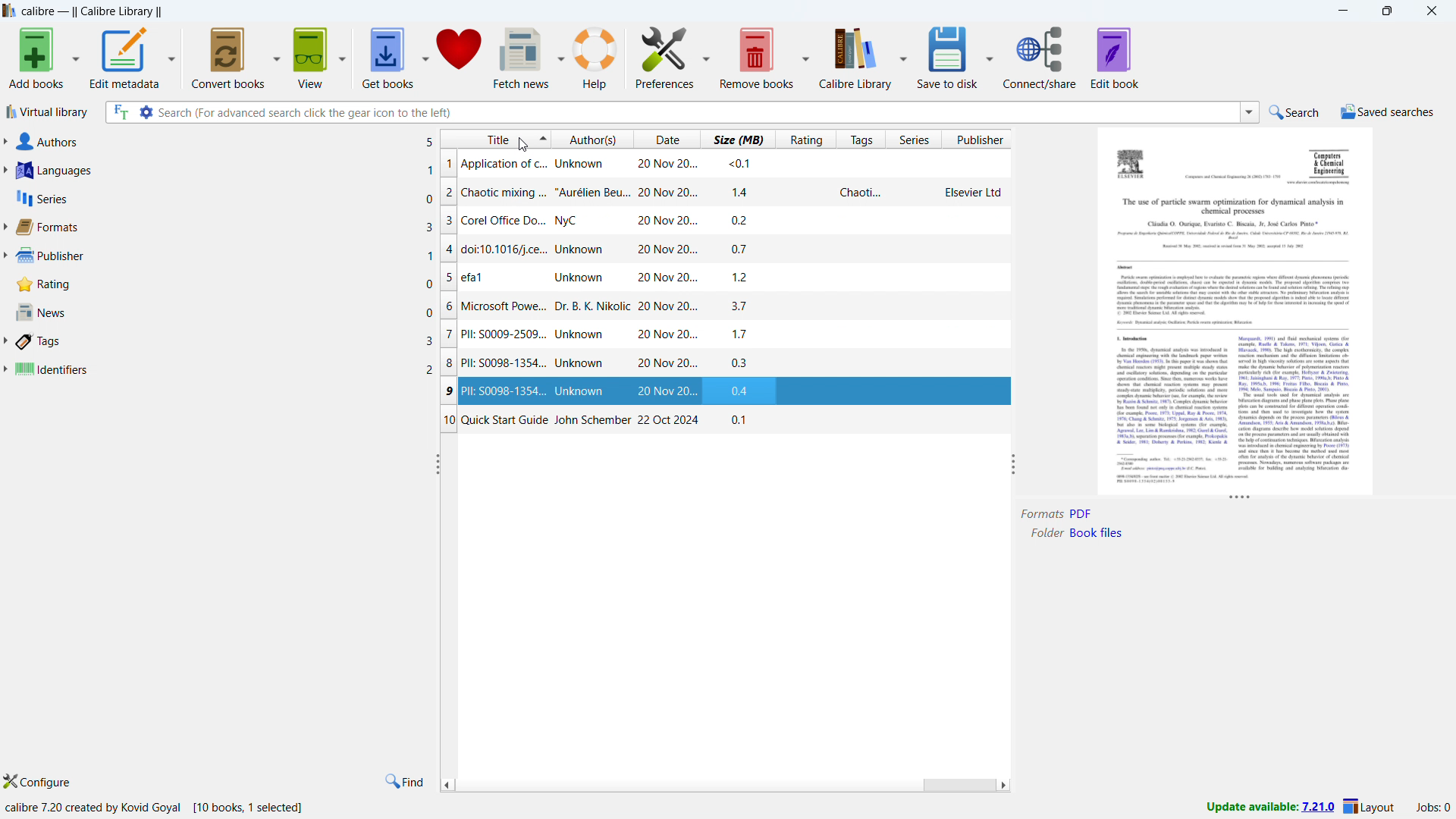 This screenshot has height=819, width=1456. I want to click on show saved searches menu, so click(1387, 113).